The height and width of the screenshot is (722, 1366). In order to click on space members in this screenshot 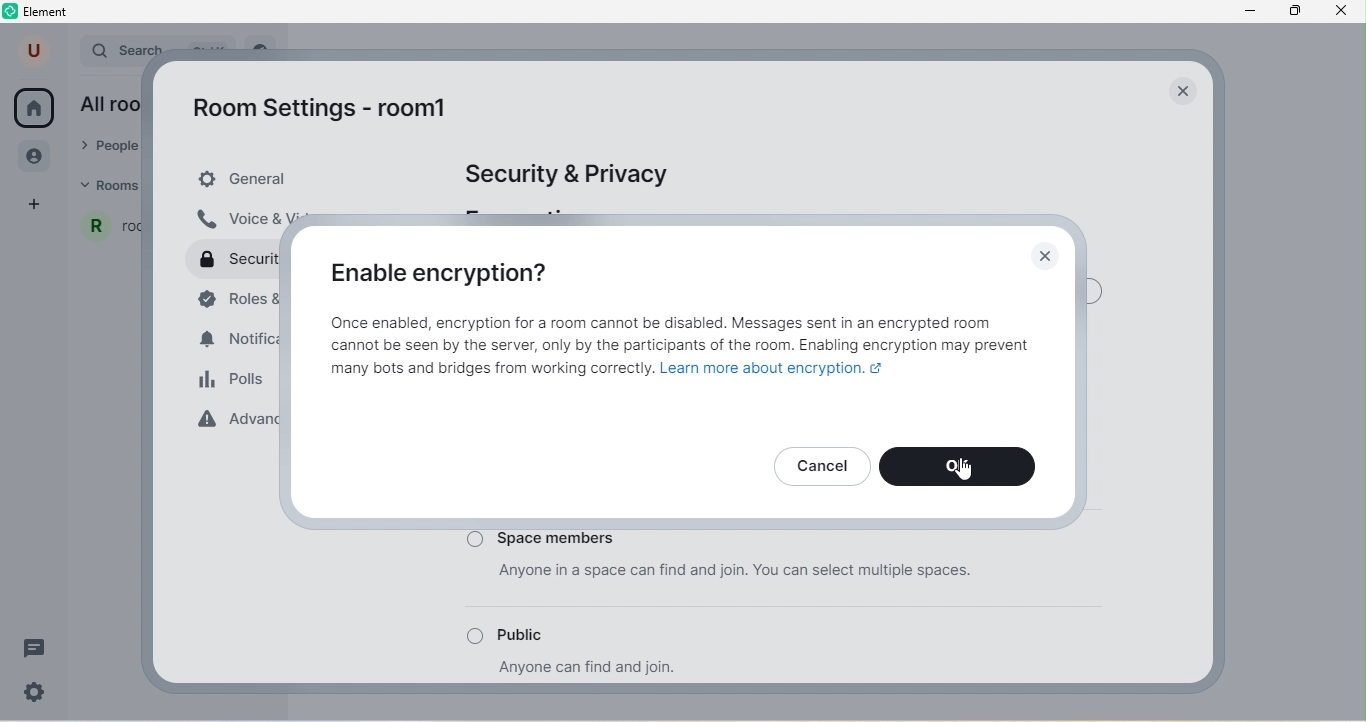, I will do `click(628, 538)`.